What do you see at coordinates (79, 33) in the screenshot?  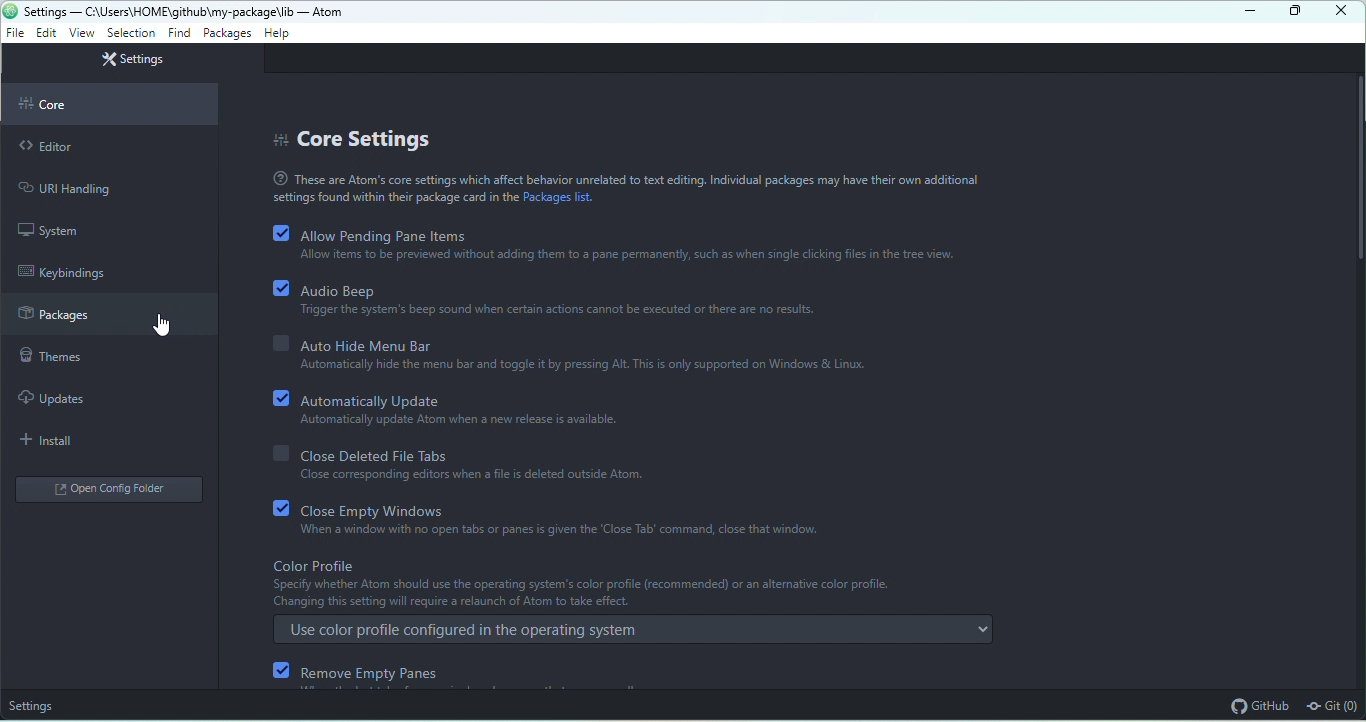 I see `view` at bounding box center [79, 33].